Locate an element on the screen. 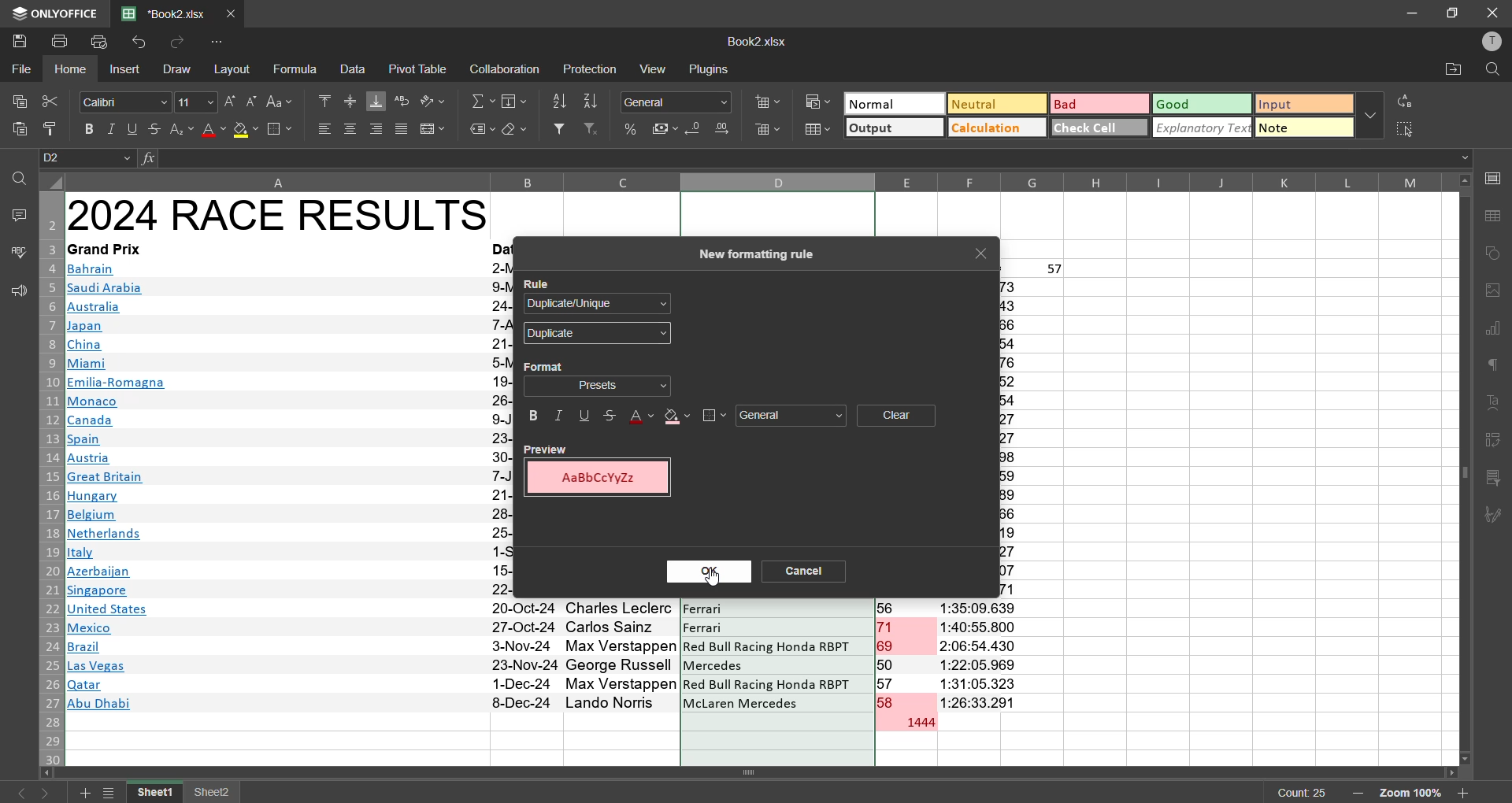 This screenshot has height=803, width=1512. profile is located at coordinates (1488, 41).